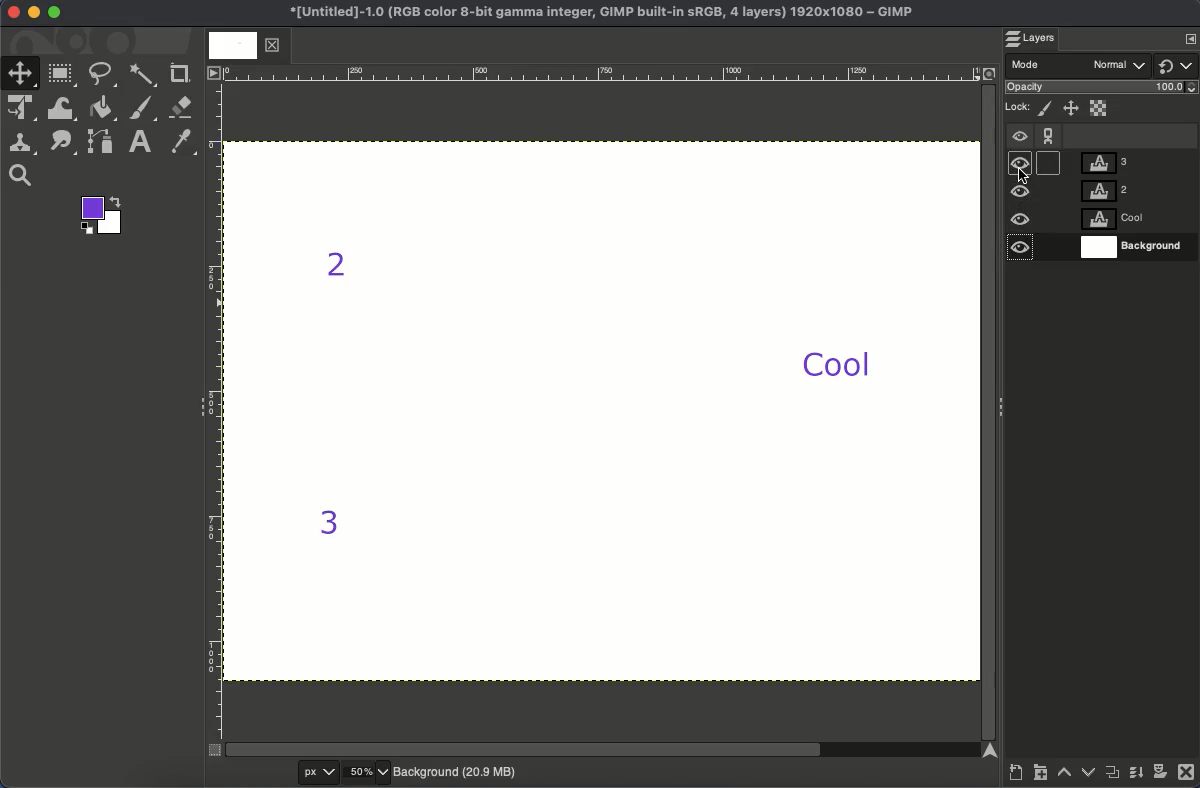 The width and height of the screenshot is (1200, 788). What do you see at coordinates (1186, 775) in the screenshot?
I see `Close` at bounding box center [1186, 775].